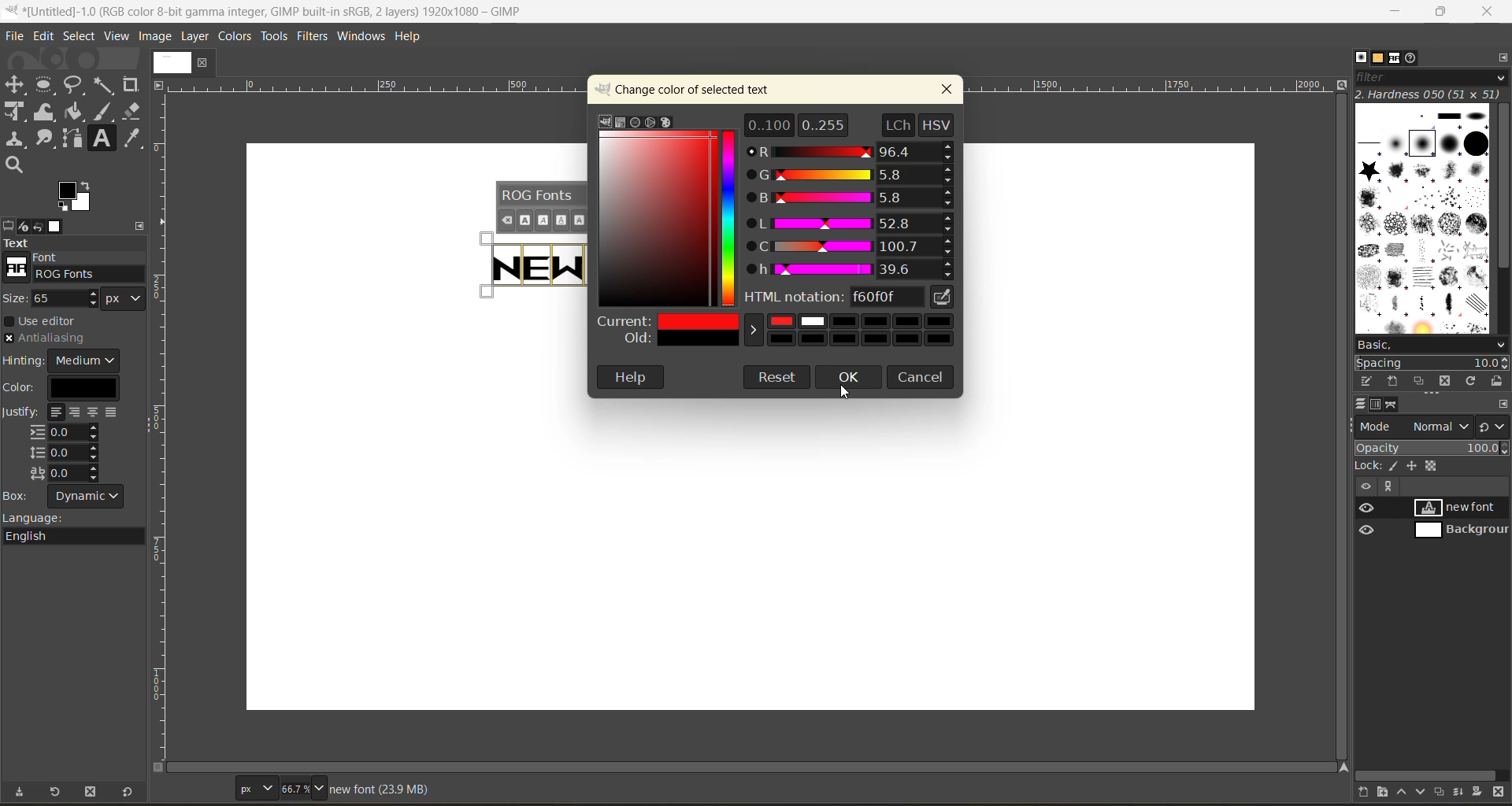 This screenshot has width=1512, height=806. What do you see at coordinates (1448, 379) in the screenshot?
I see `delete this brush` at bounding box center [1448, 379].